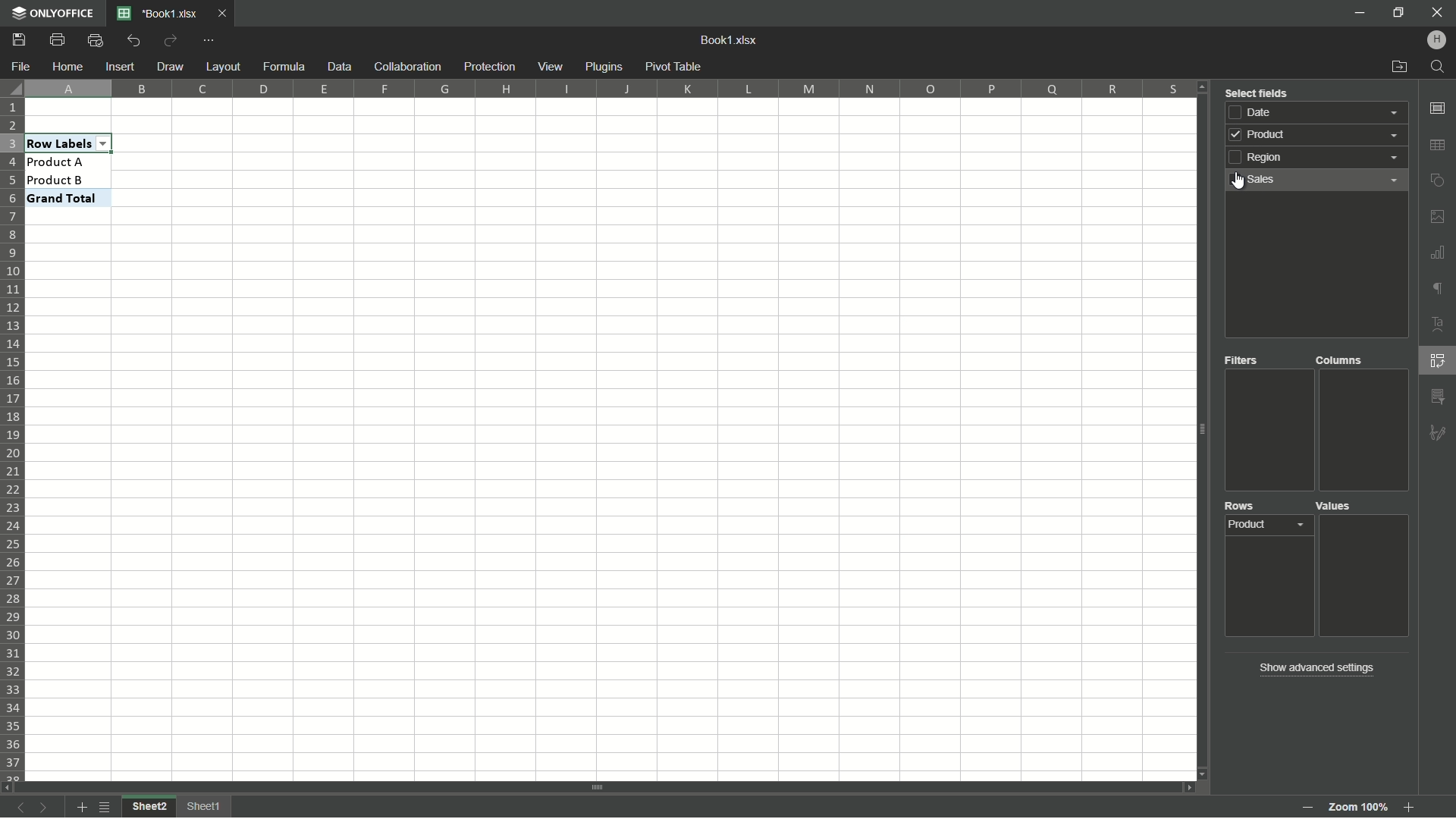  I want to click on Sales, so click(1319, 180).